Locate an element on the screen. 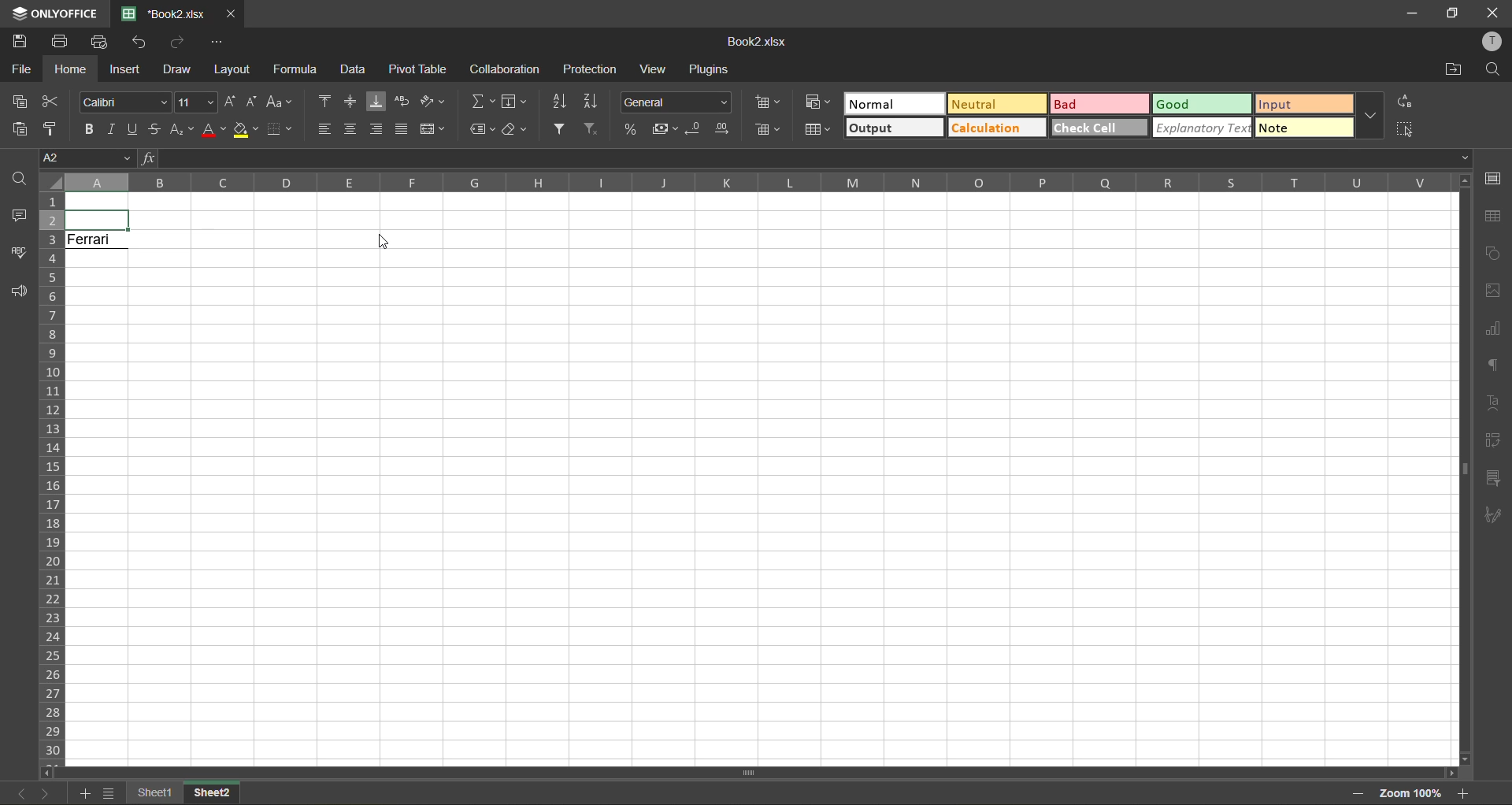  sort descending is located at coordinates (595, 102).